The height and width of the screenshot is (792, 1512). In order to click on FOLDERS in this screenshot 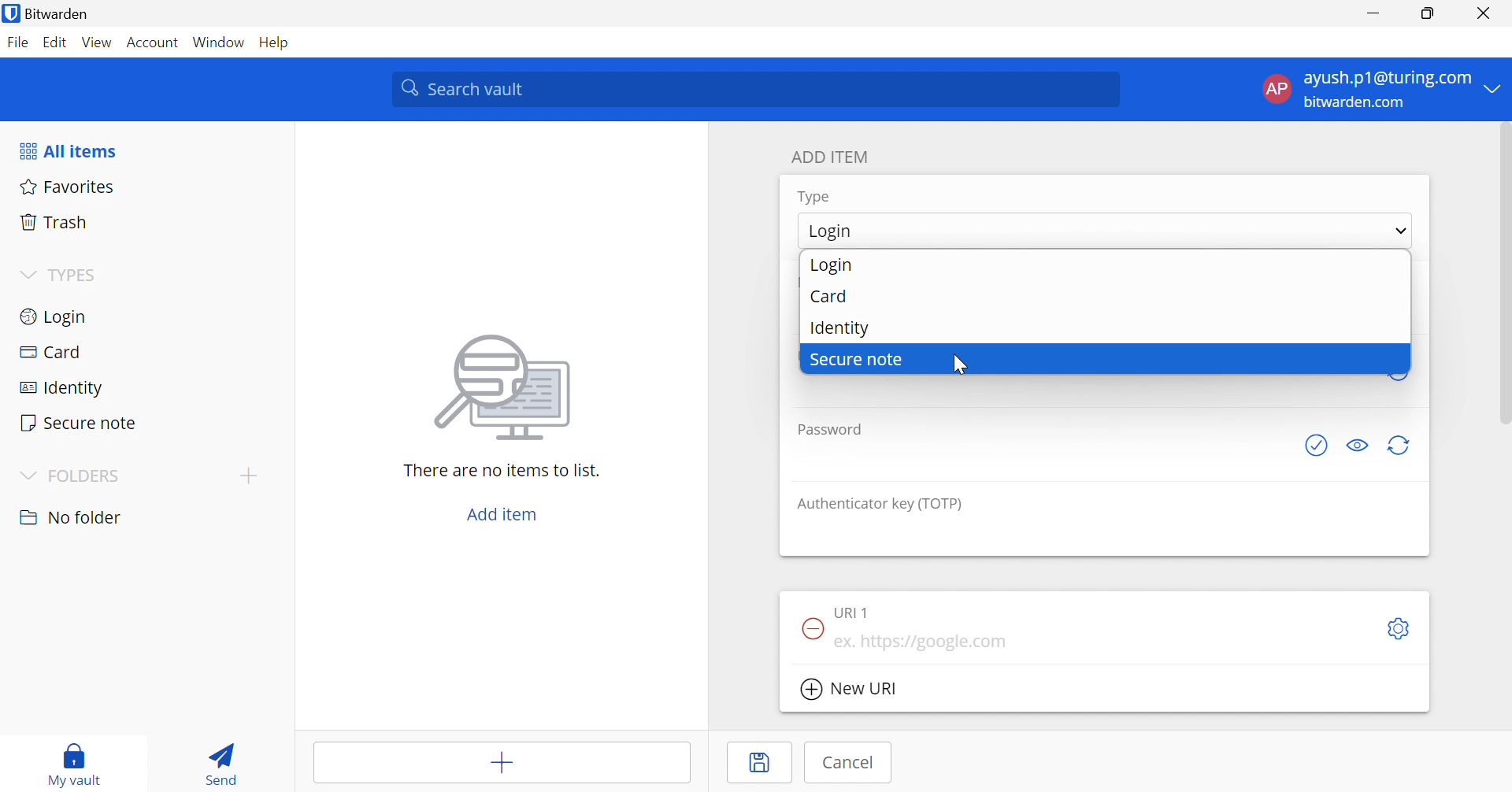, I will do `click(72, 476)`.